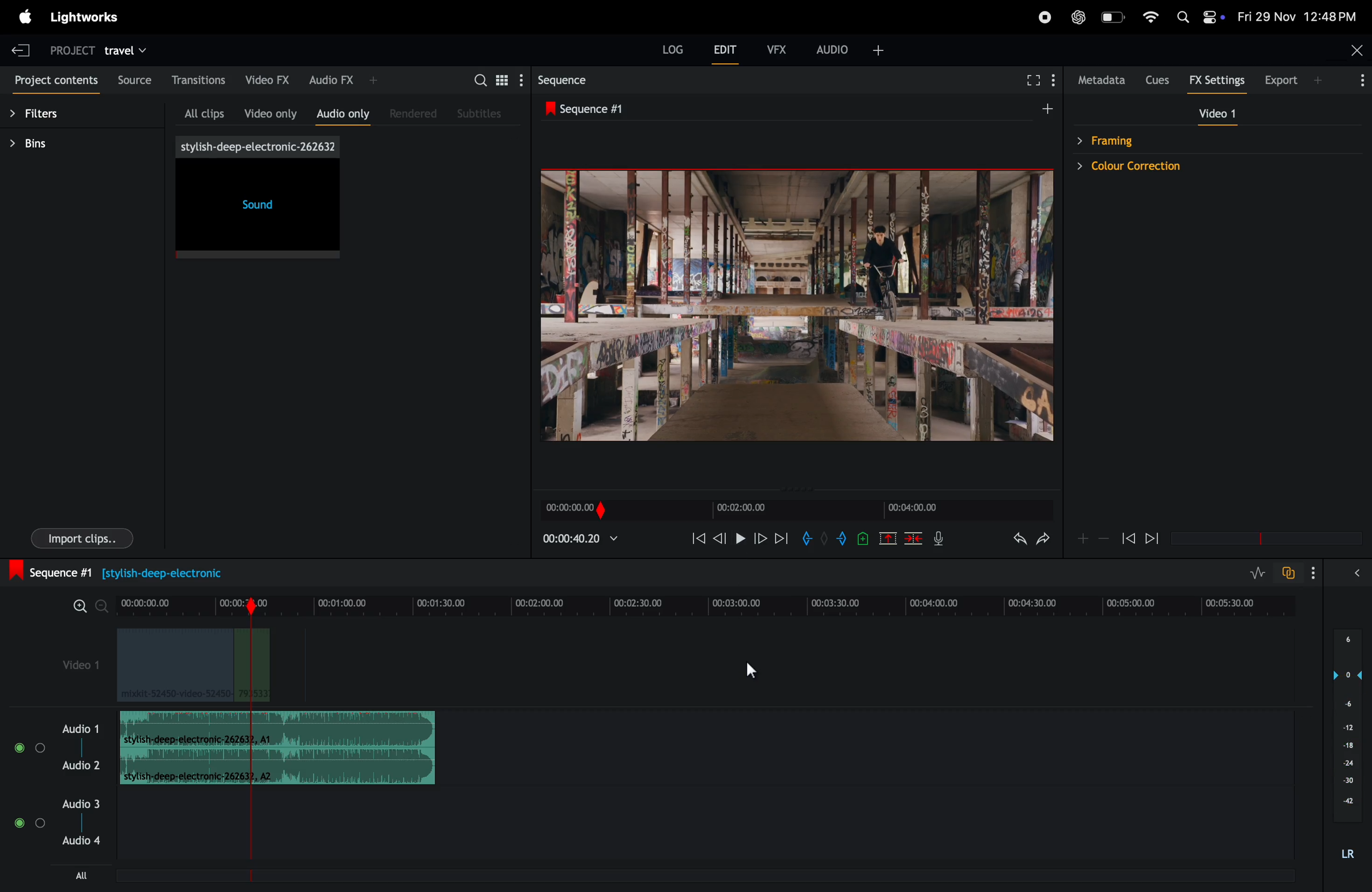  I want to click on mic, so click(944, 541).